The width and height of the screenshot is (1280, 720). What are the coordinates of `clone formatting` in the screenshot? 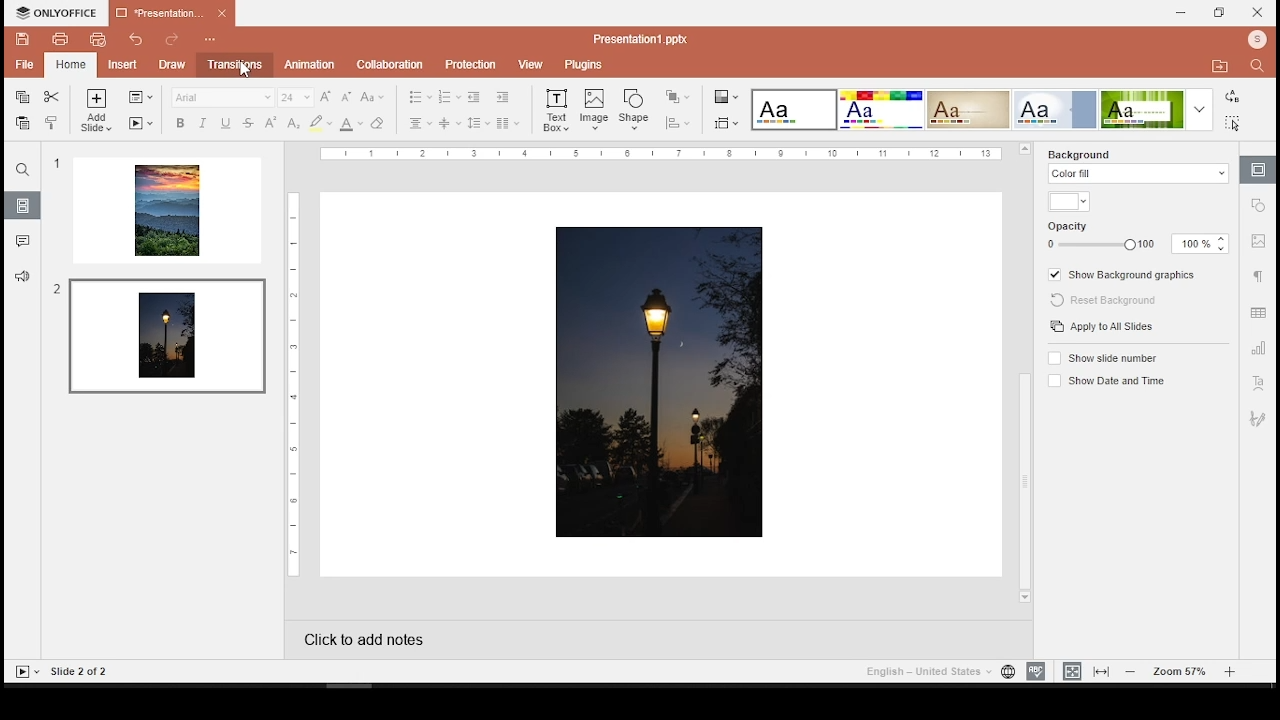 It's located at (50, 123).